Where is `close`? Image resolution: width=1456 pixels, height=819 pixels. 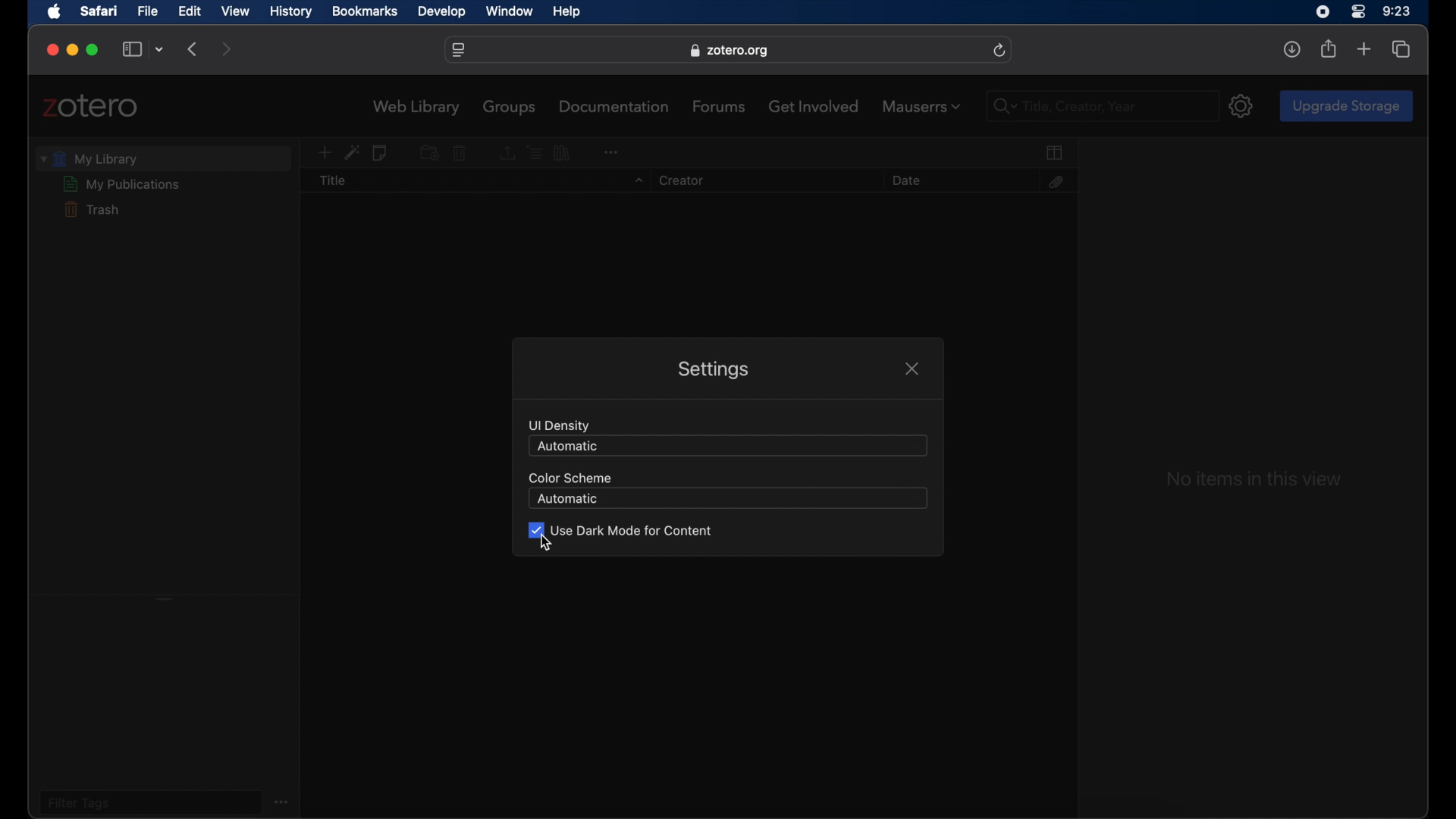
close is located at coordinates (912, 369).